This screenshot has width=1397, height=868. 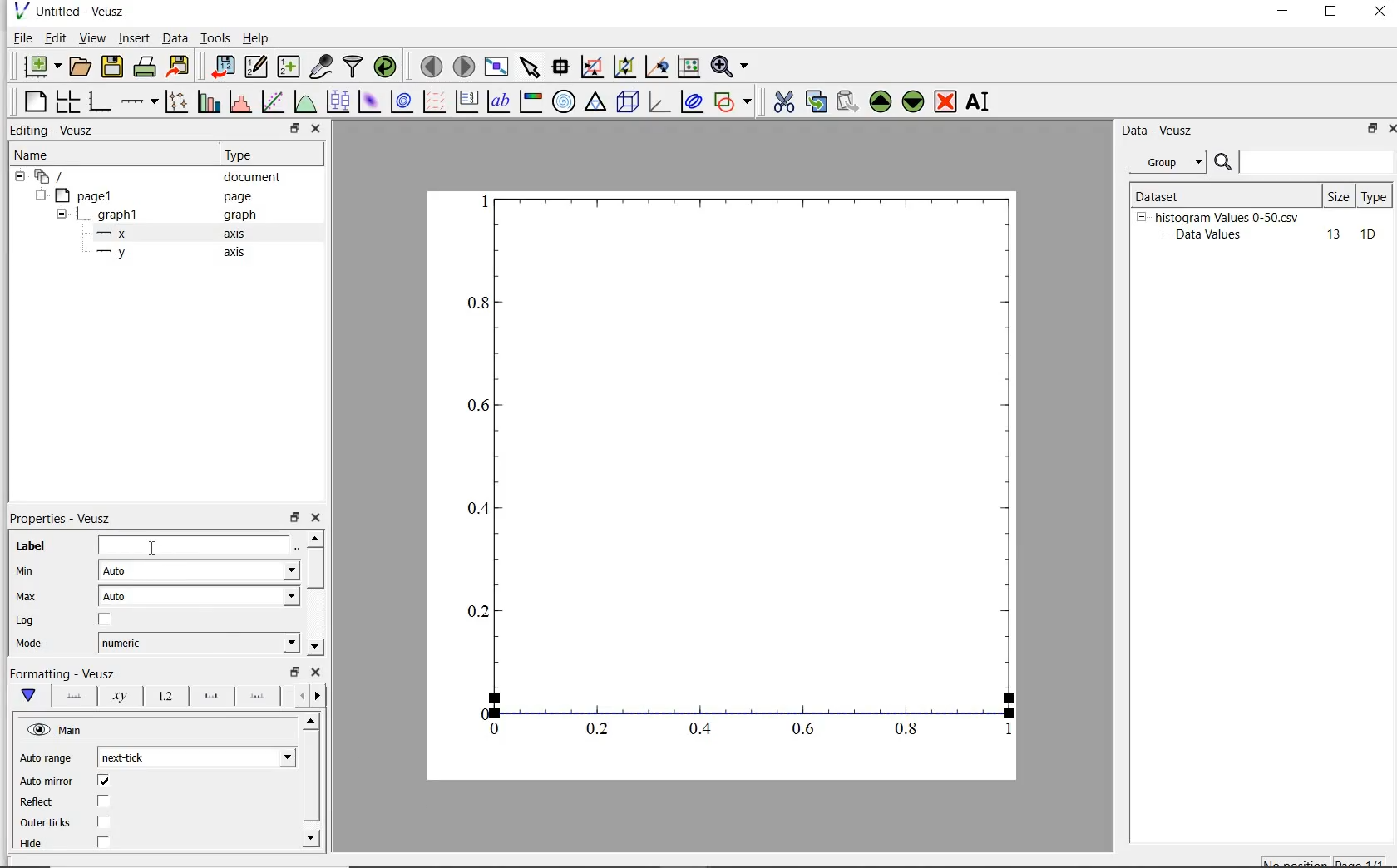 What do you see at coordinates (180, 65) in the screenshot?
I see `export to graphics format` at bounding box center [180, 65].